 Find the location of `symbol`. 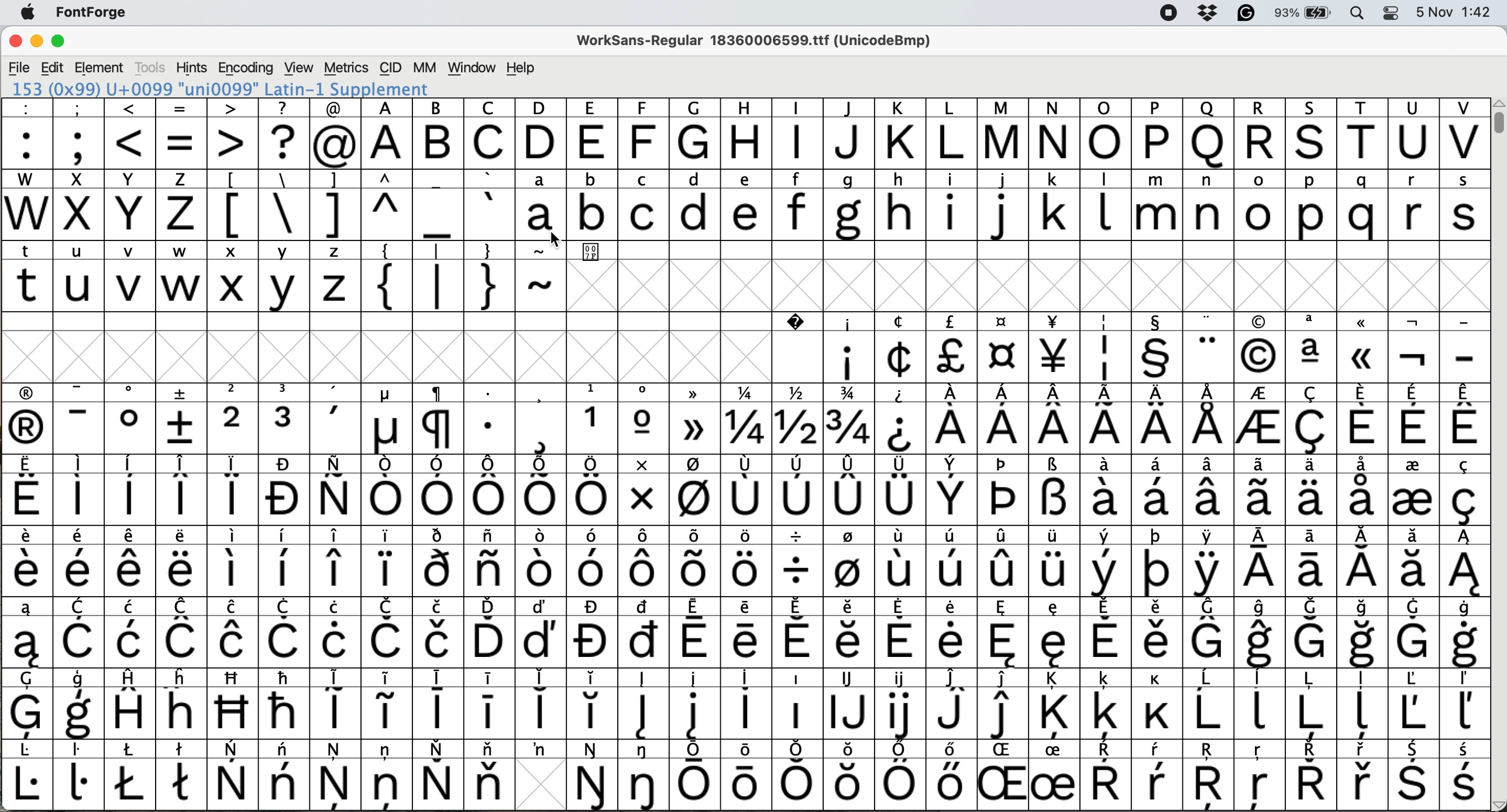

symbol is located at coordinates (1312, 562).